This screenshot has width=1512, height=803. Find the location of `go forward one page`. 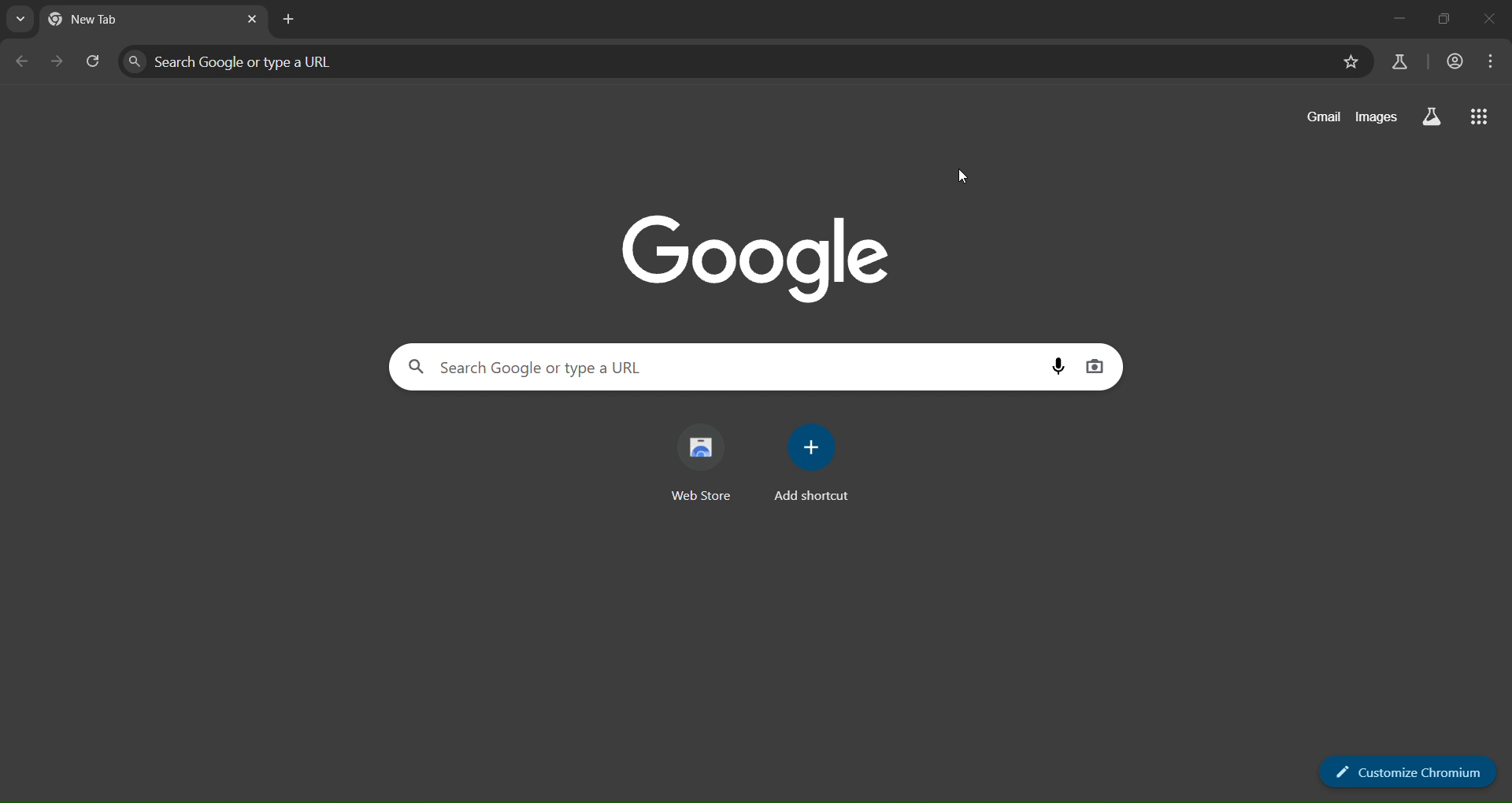

go forward one page is located at coordinates (56, 60).